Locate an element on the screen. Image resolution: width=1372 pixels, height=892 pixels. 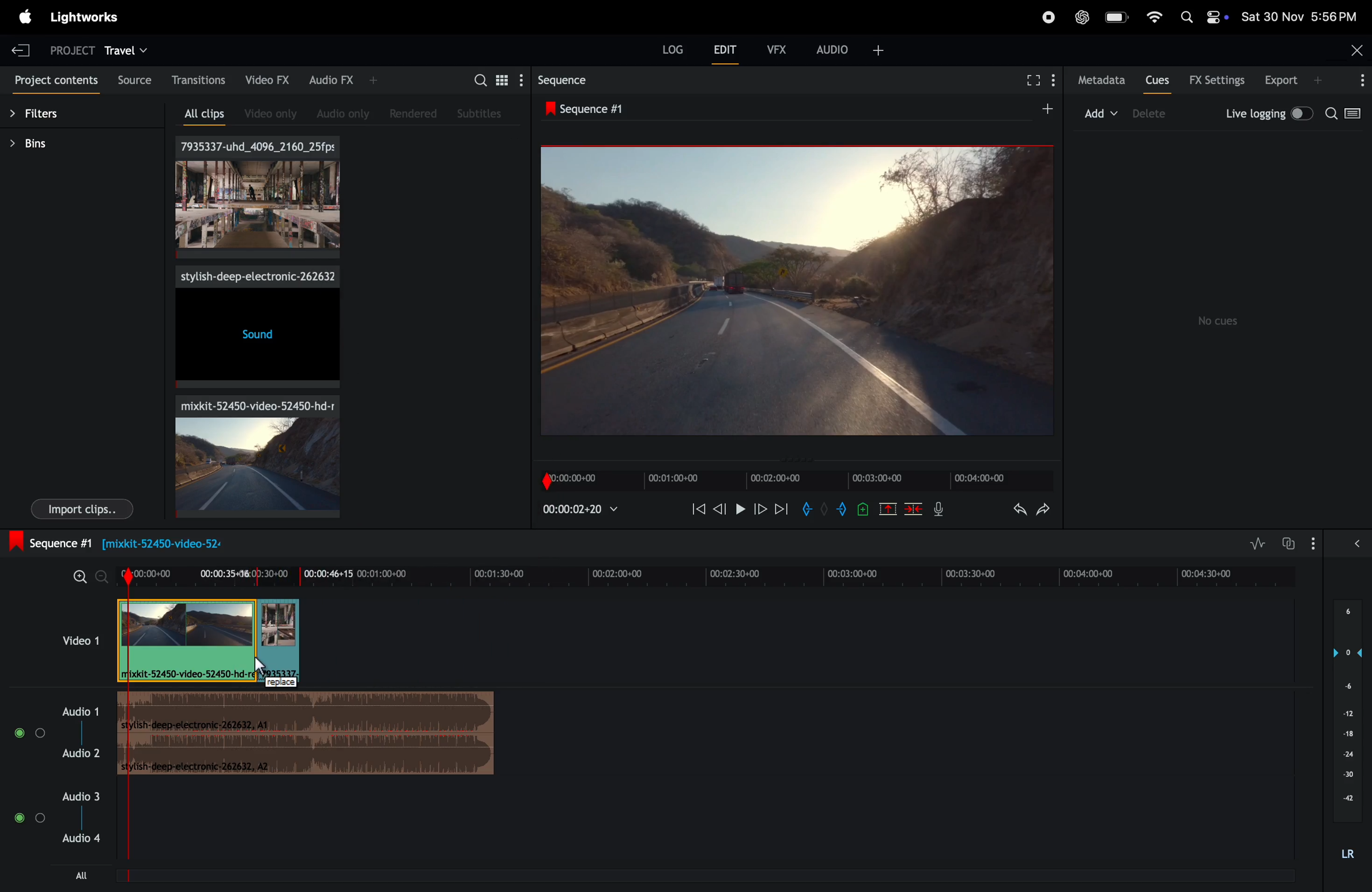
video only is located at coordinates (265, 114).